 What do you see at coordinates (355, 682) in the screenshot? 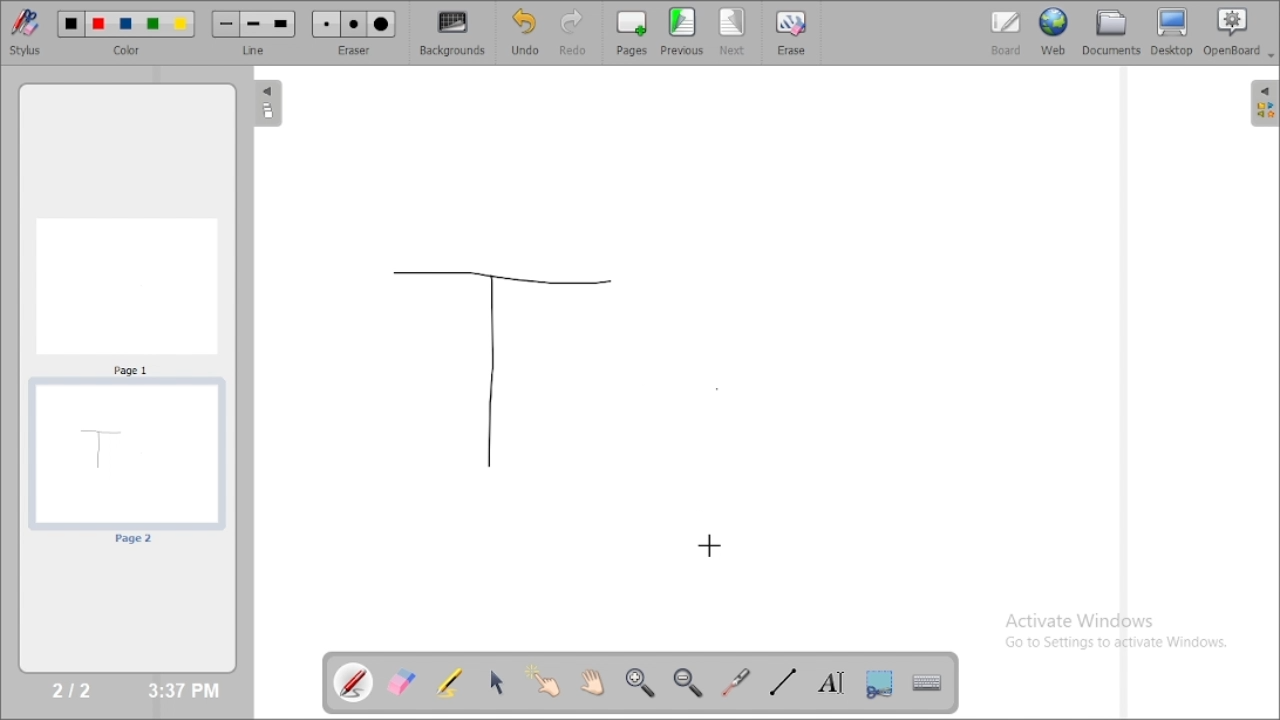
I see `annotate document` at bounding box center [355, 682].